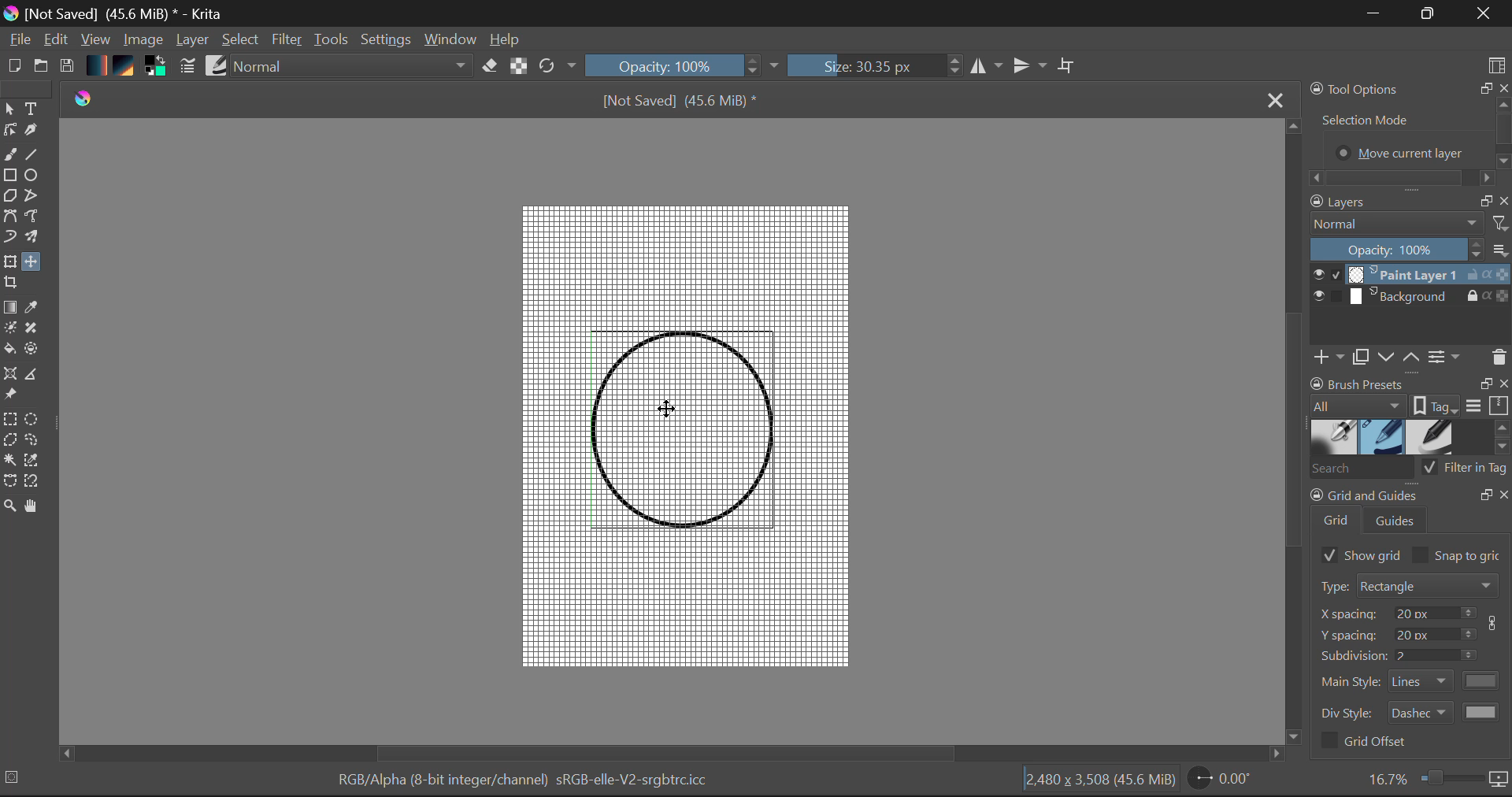 This screenshot has height=797, width=1512. What do you see at coordinates (35, 462) in the screenshot?
I see `Similar Color Selector` at bounding box center [35, 462].